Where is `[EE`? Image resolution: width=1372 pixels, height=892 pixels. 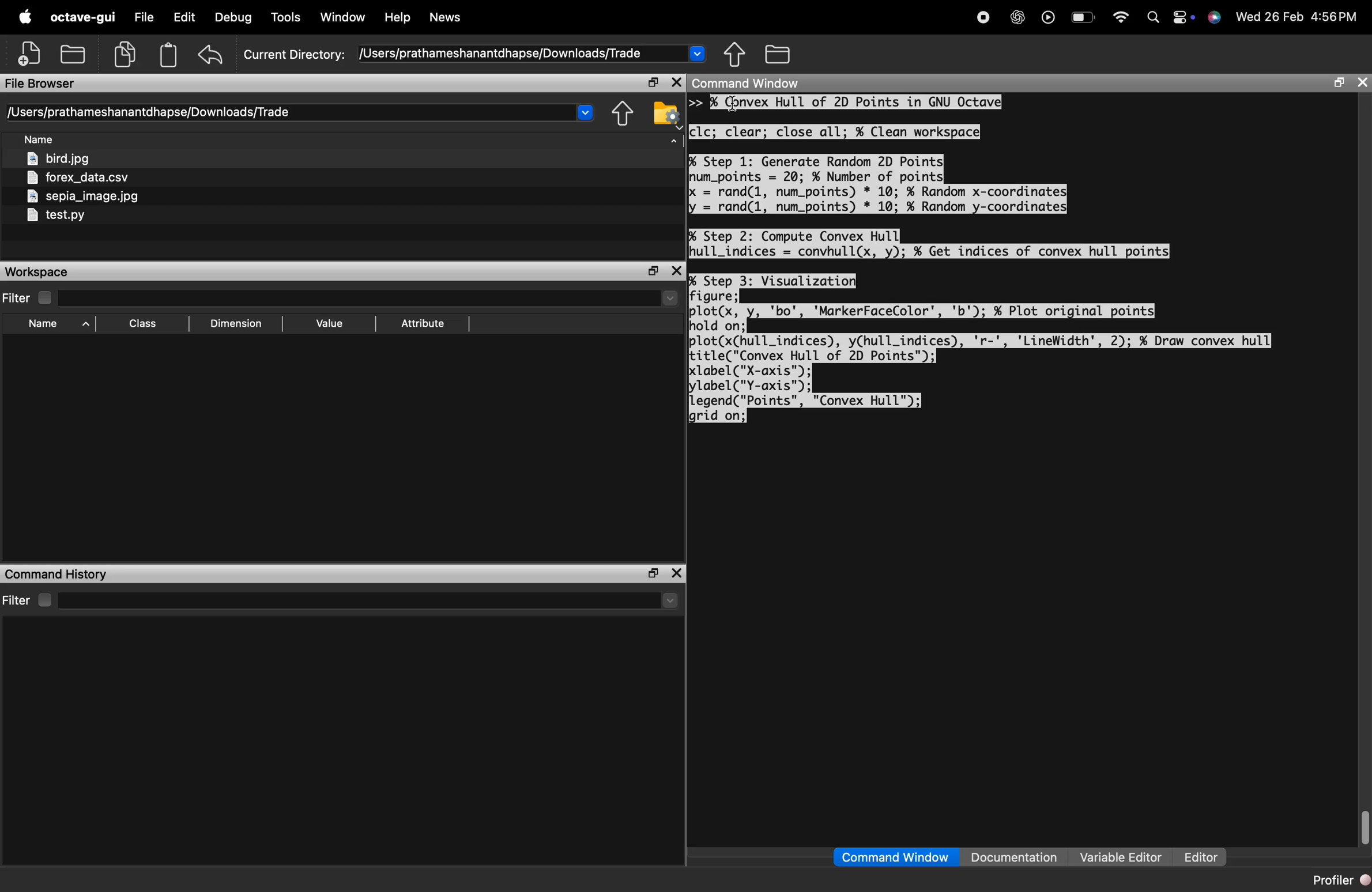 [EE is located at coordinates (142, 323).